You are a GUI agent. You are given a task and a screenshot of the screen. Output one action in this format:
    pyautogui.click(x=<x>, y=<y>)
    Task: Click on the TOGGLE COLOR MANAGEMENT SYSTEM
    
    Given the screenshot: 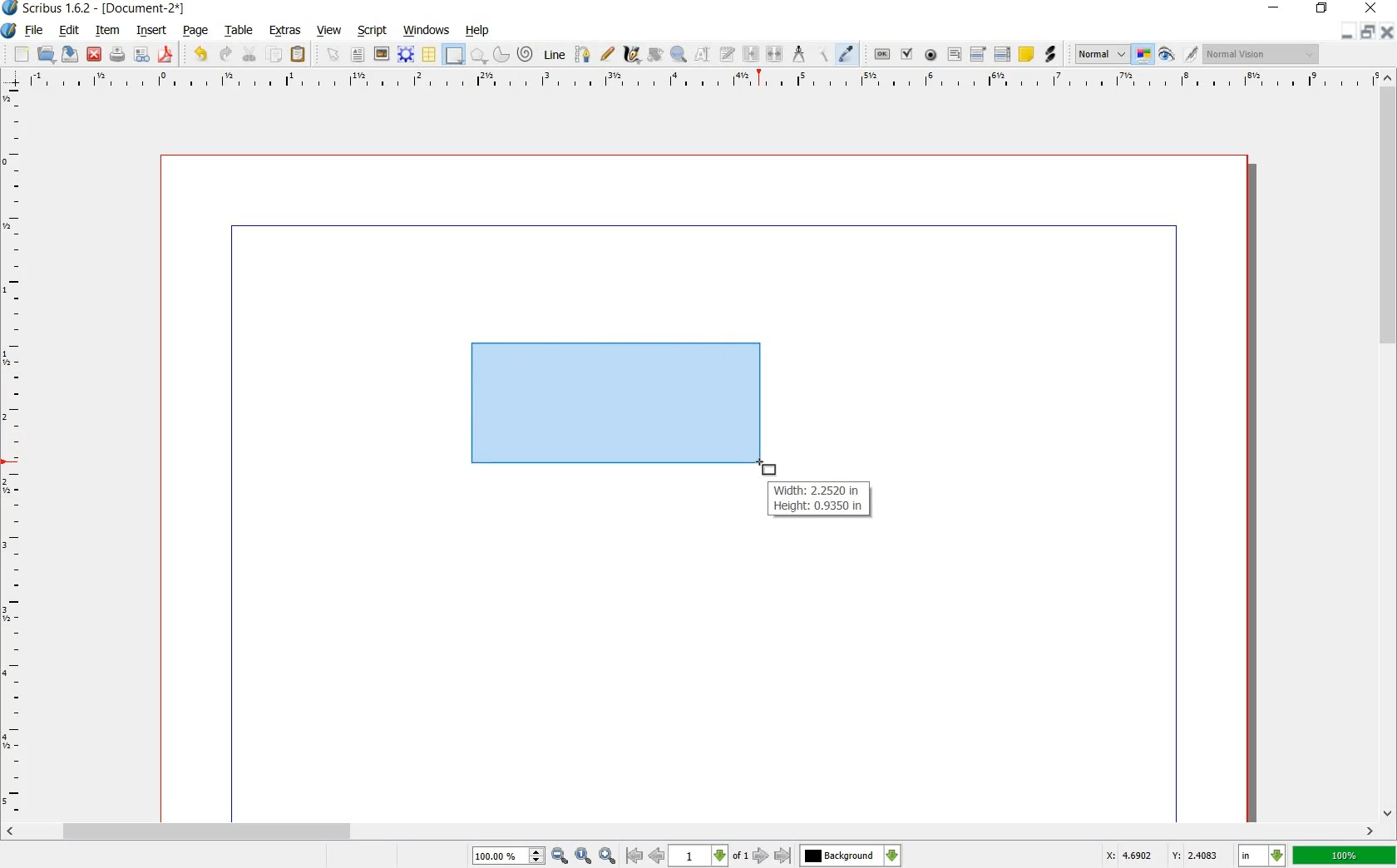 What is the action you would take?
    pyautogui.click(x=1145, y=56)
    